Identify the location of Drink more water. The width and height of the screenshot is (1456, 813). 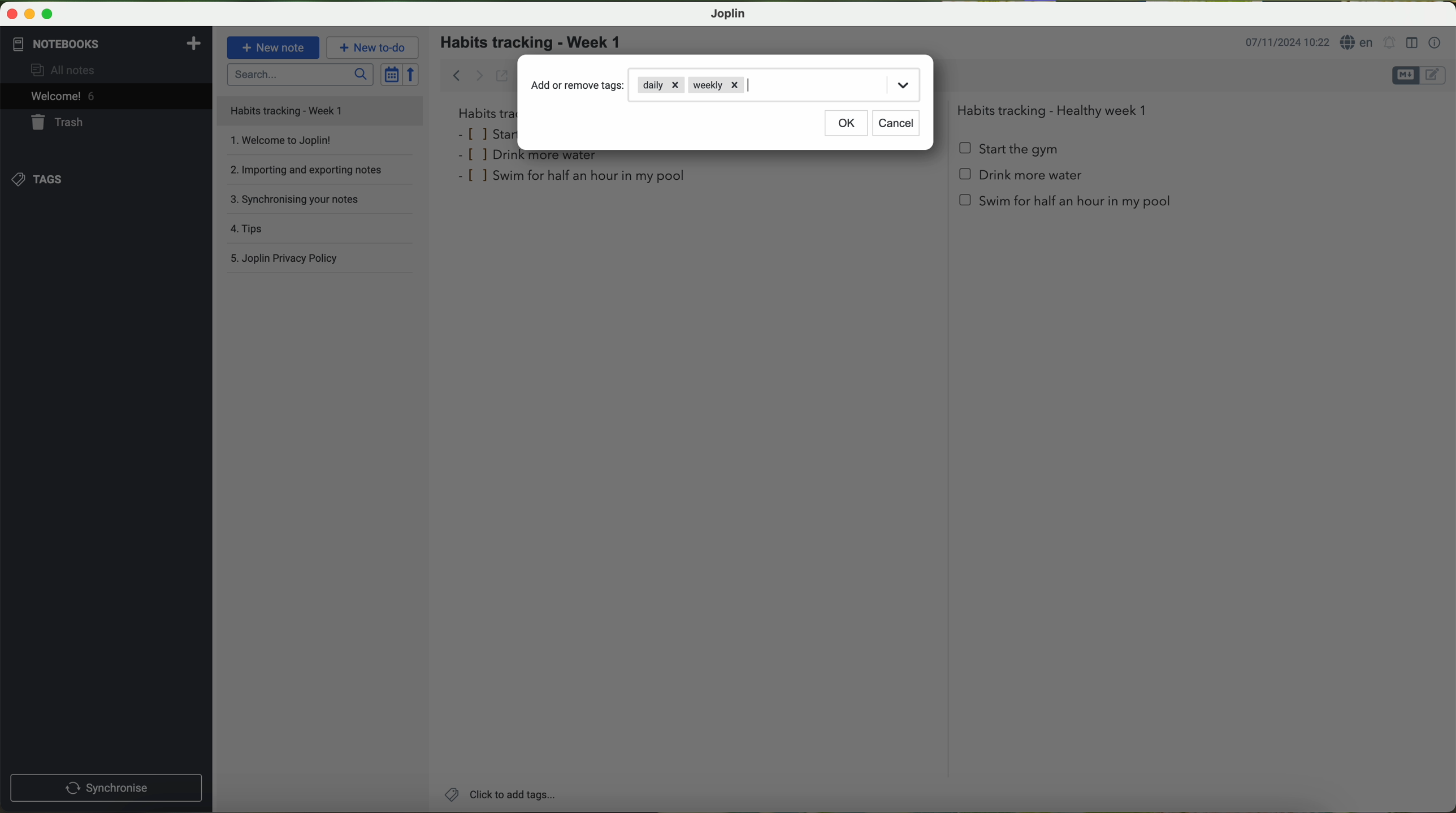
(1021, 179).